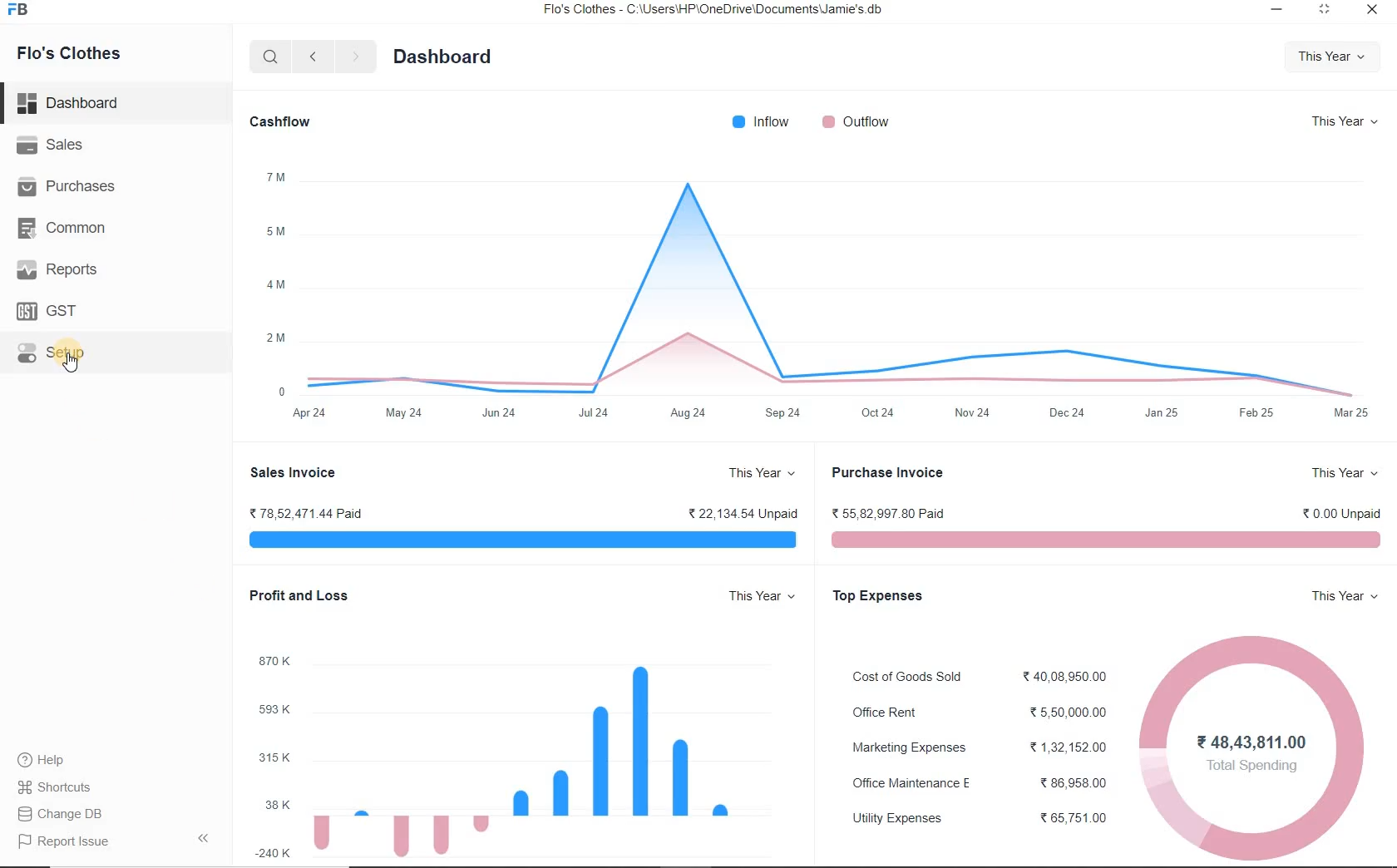 This screenshot has height=868, width=1397. What do you see at coordinates (72, 52) in the screenshot?
I see `Flo's Clothes` at bounding box center [72, 52].